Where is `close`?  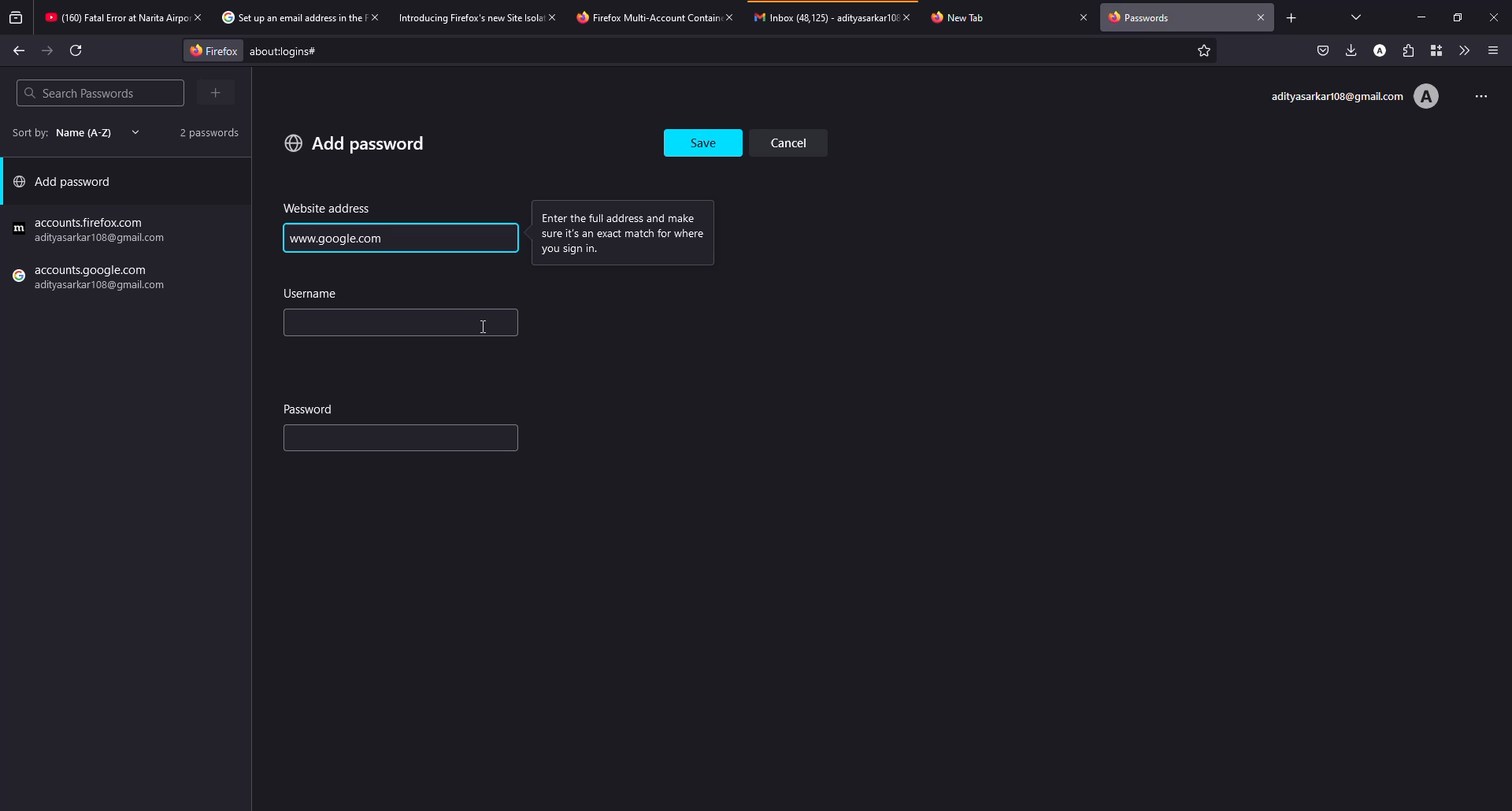 close is located at coordinates (1084, 17).